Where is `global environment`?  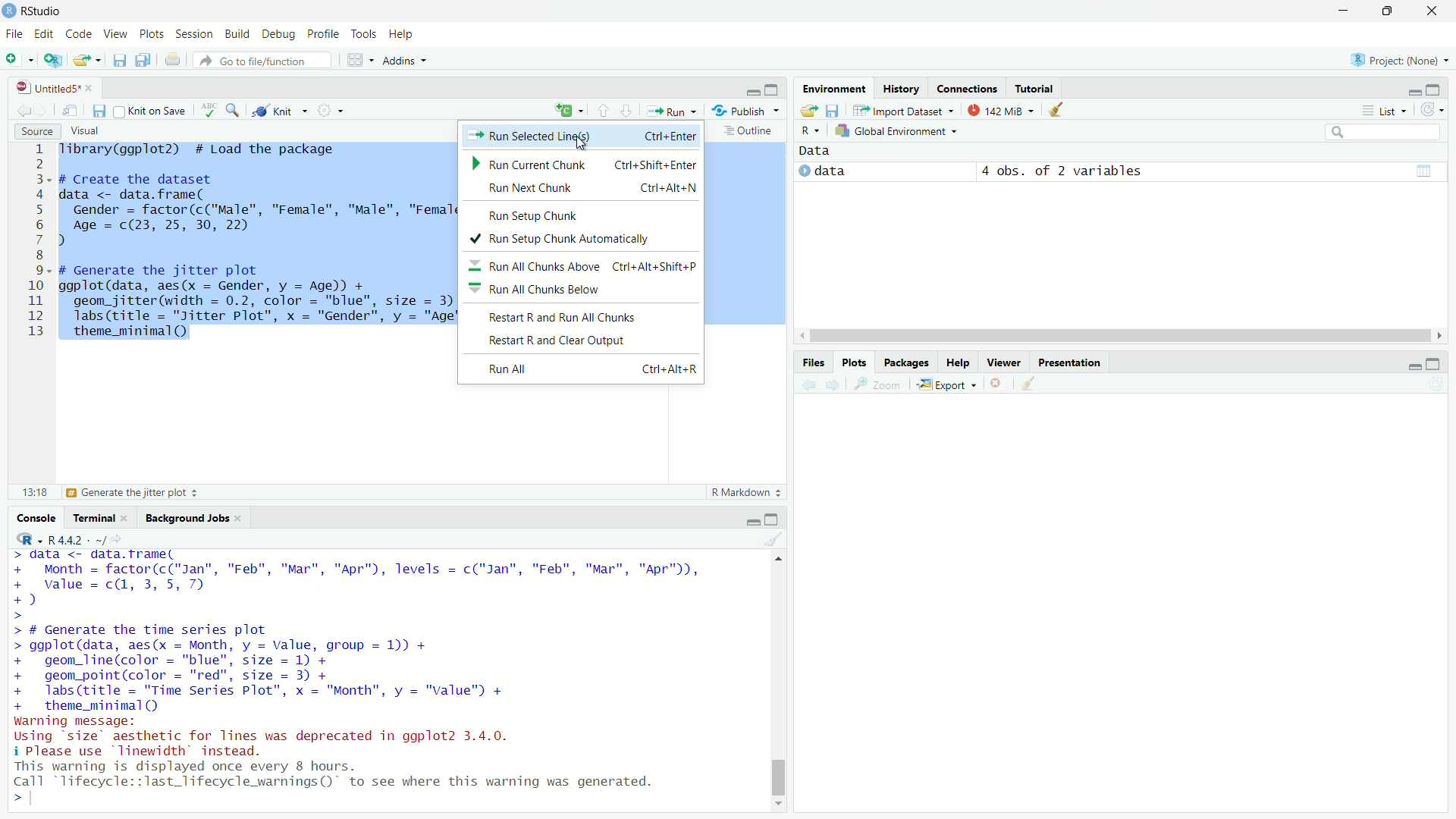 global environment is located at coordinates (899, 132).